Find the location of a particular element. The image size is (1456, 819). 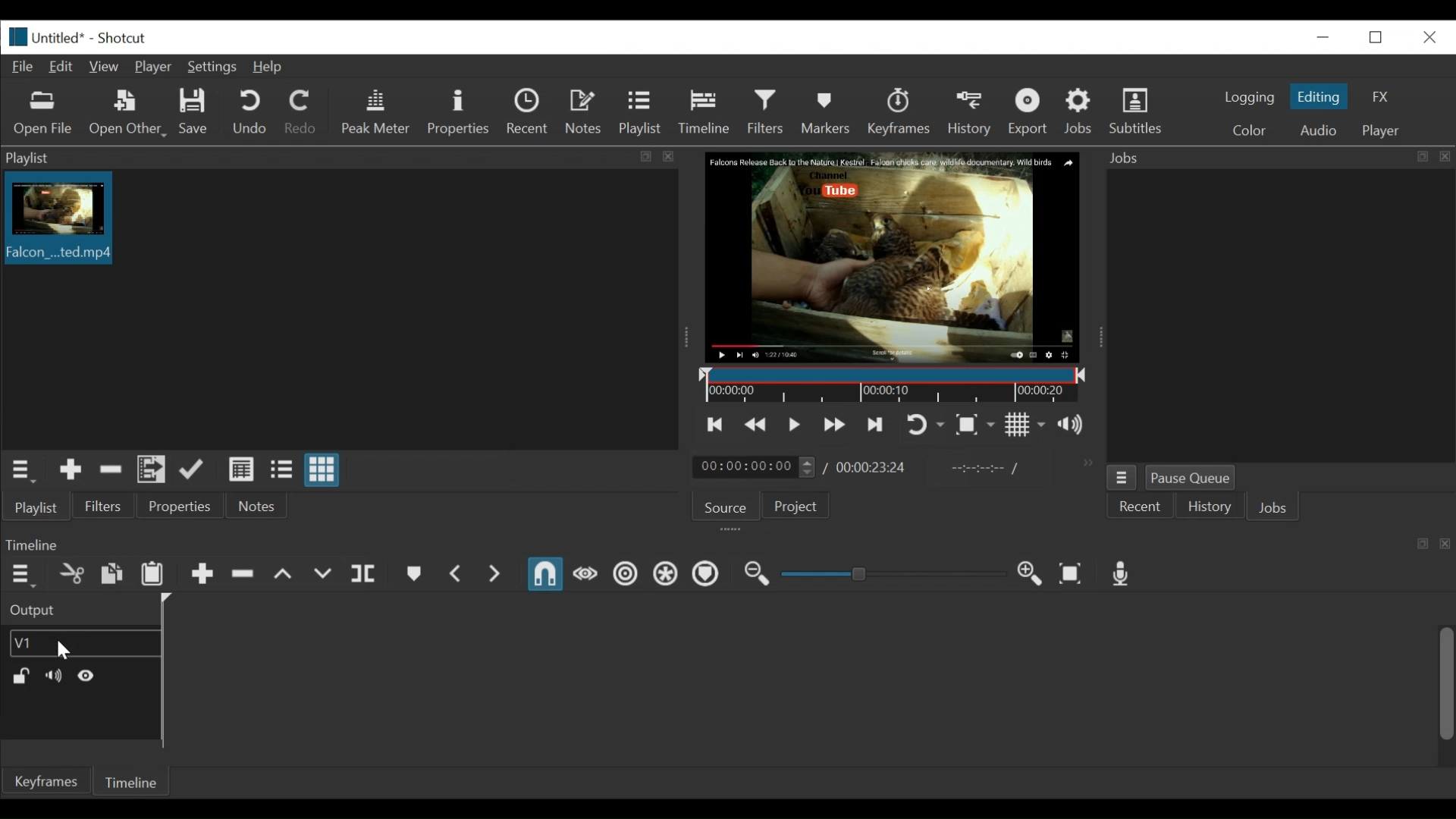

Close is located at coordinates (1428, 37).